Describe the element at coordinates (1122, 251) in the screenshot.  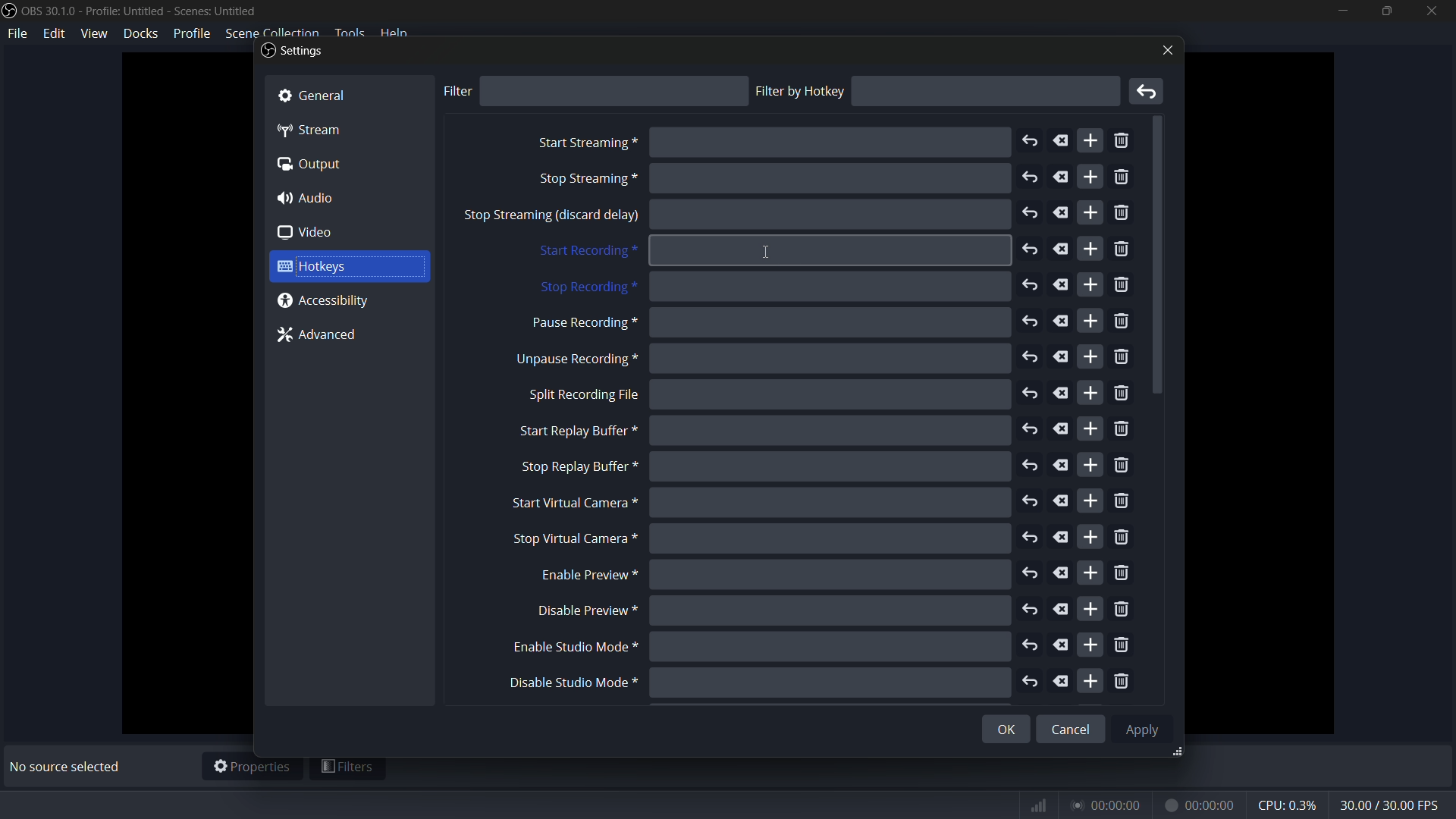
I see `remove` at that location.